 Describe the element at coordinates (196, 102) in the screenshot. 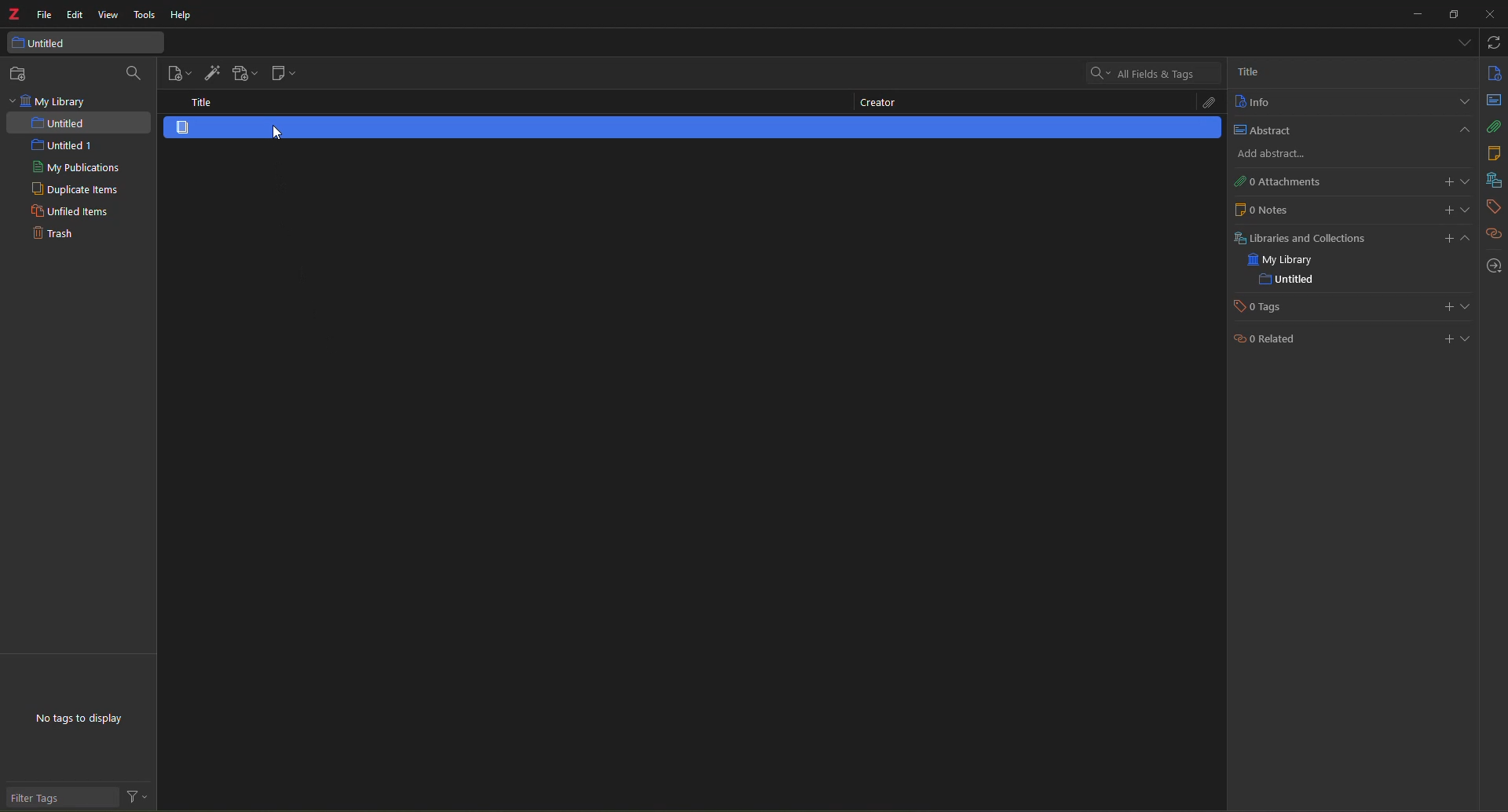

I see `tite` at that location.